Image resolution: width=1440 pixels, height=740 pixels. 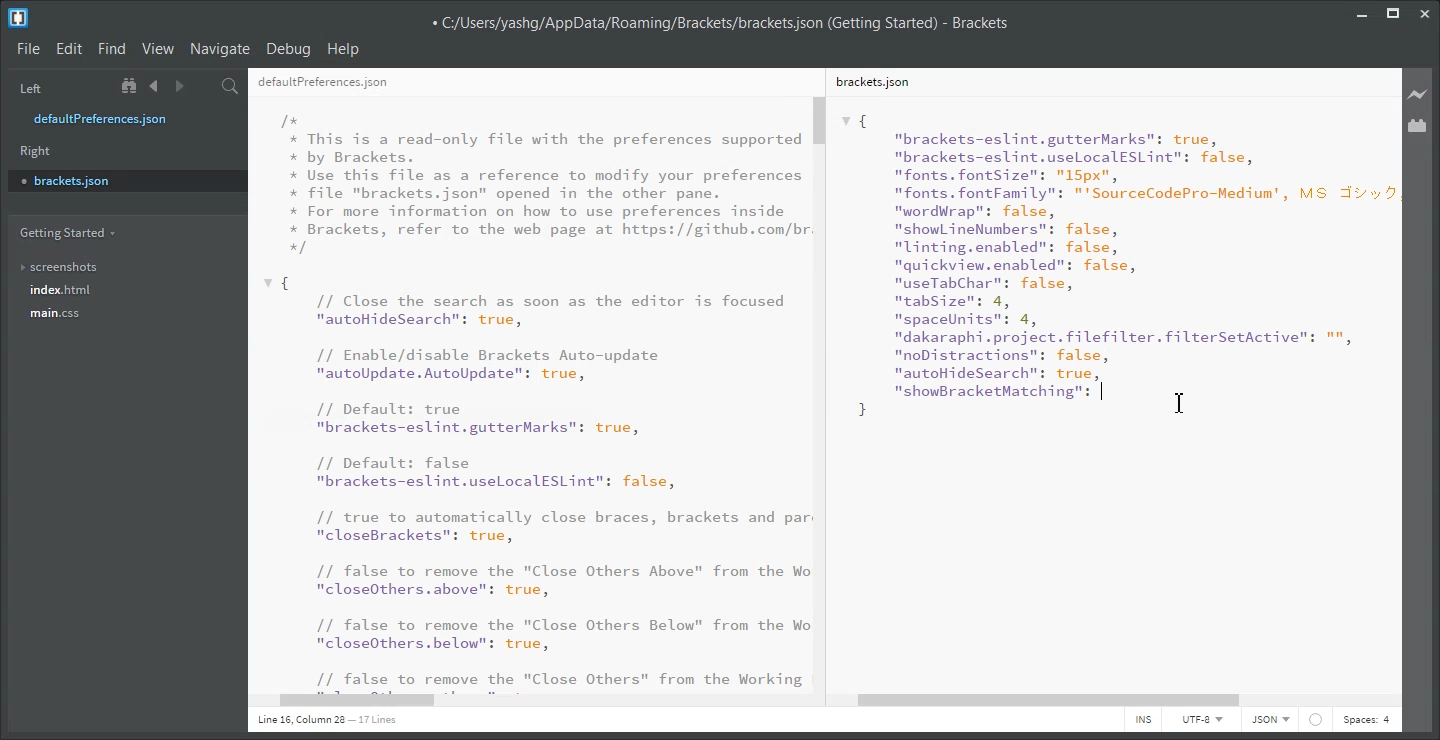 What do you see at coordinates (179, 86) in the screenshot?
I see `Navigate Forward` at bounding box center [179, 86].